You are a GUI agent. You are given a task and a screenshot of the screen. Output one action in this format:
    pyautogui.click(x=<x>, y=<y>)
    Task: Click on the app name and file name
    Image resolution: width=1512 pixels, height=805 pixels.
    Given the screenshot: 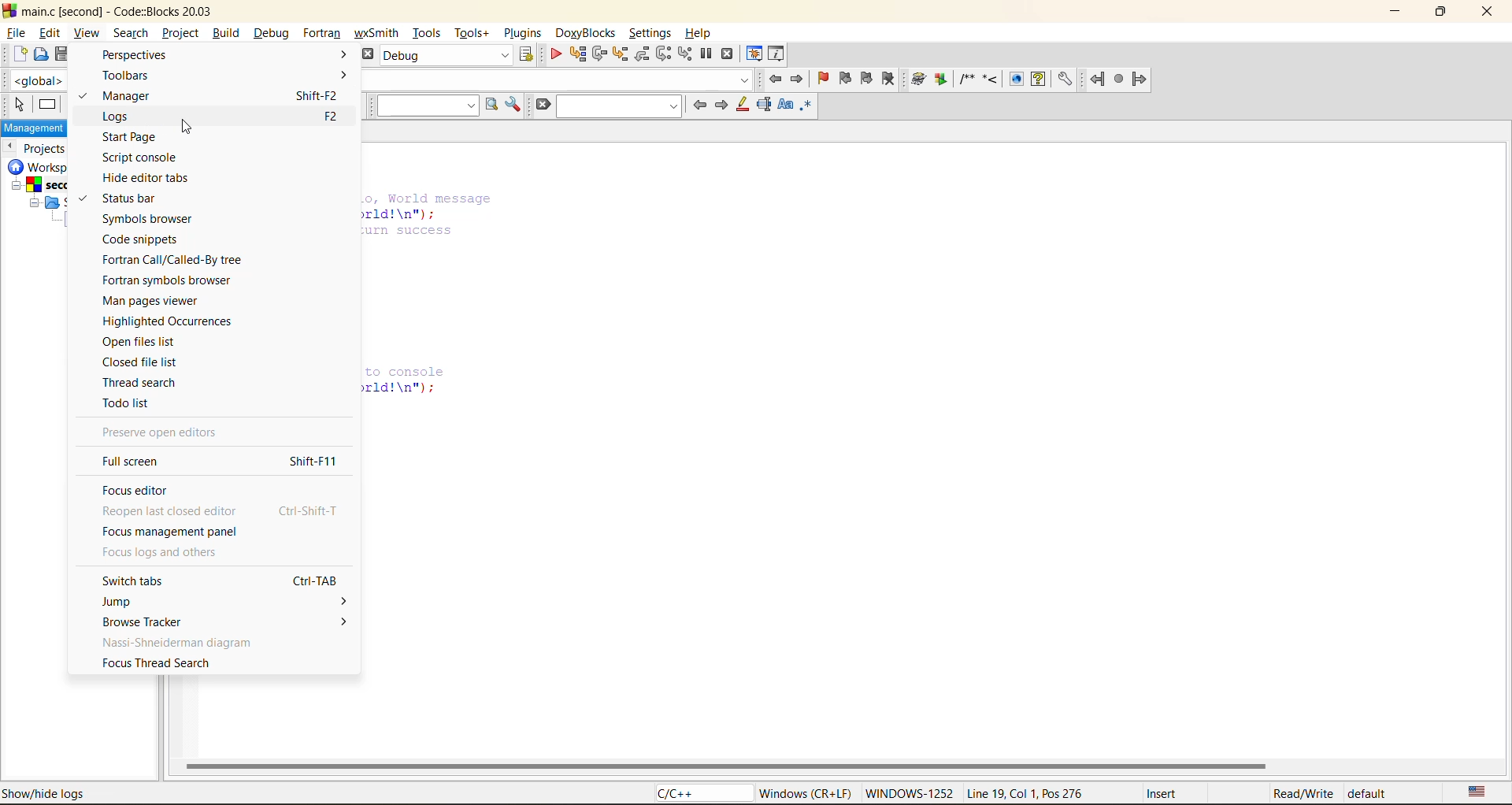 What is the action you would take?
    pyautogui.click(x=119, y=9)
    